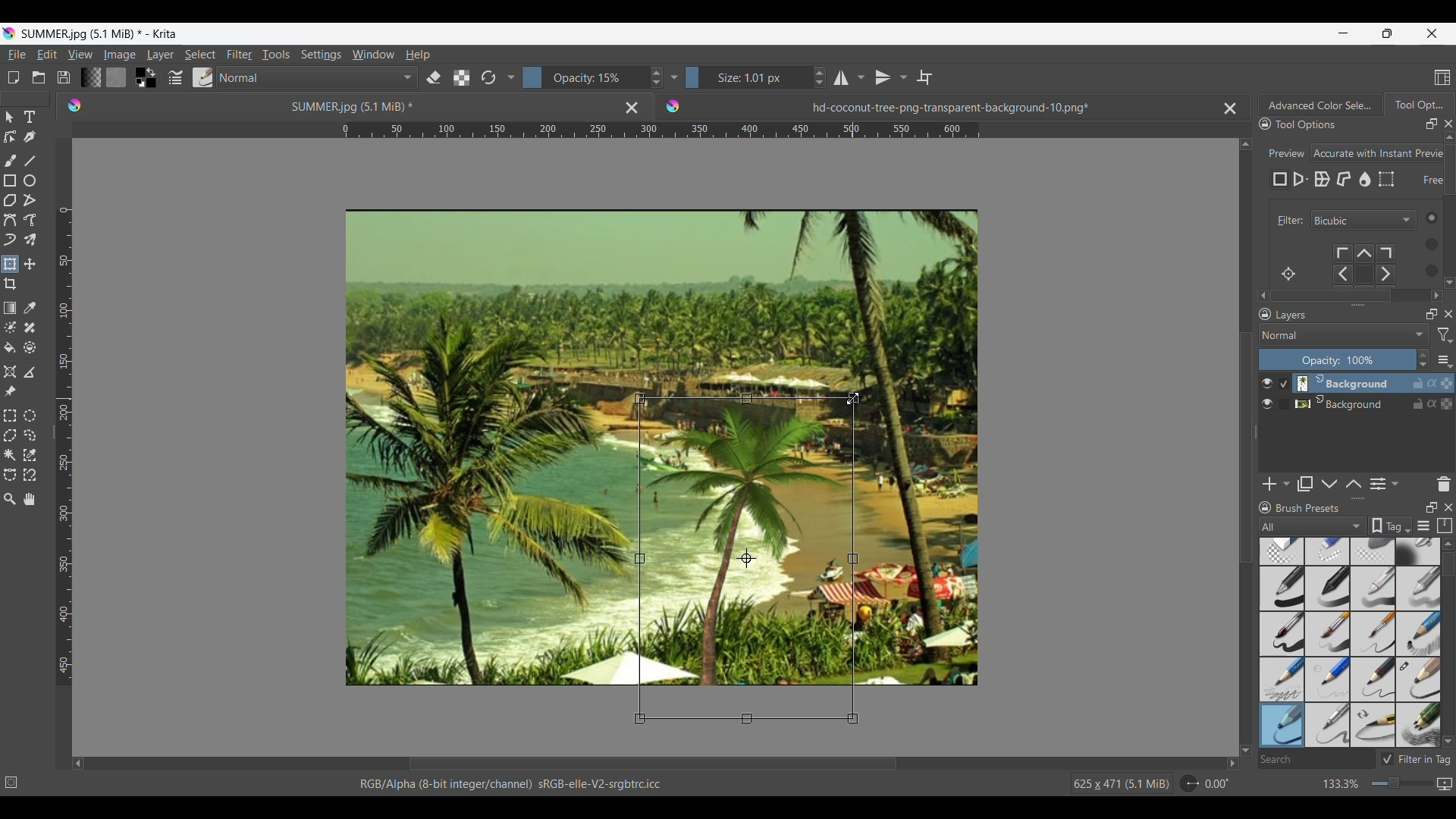 This screenshot has width=1456, height=819. What do you see at coordinates (30, 416) in the screenshot?
I see `Elliptical selection tool` at bounding box center [30, 416].